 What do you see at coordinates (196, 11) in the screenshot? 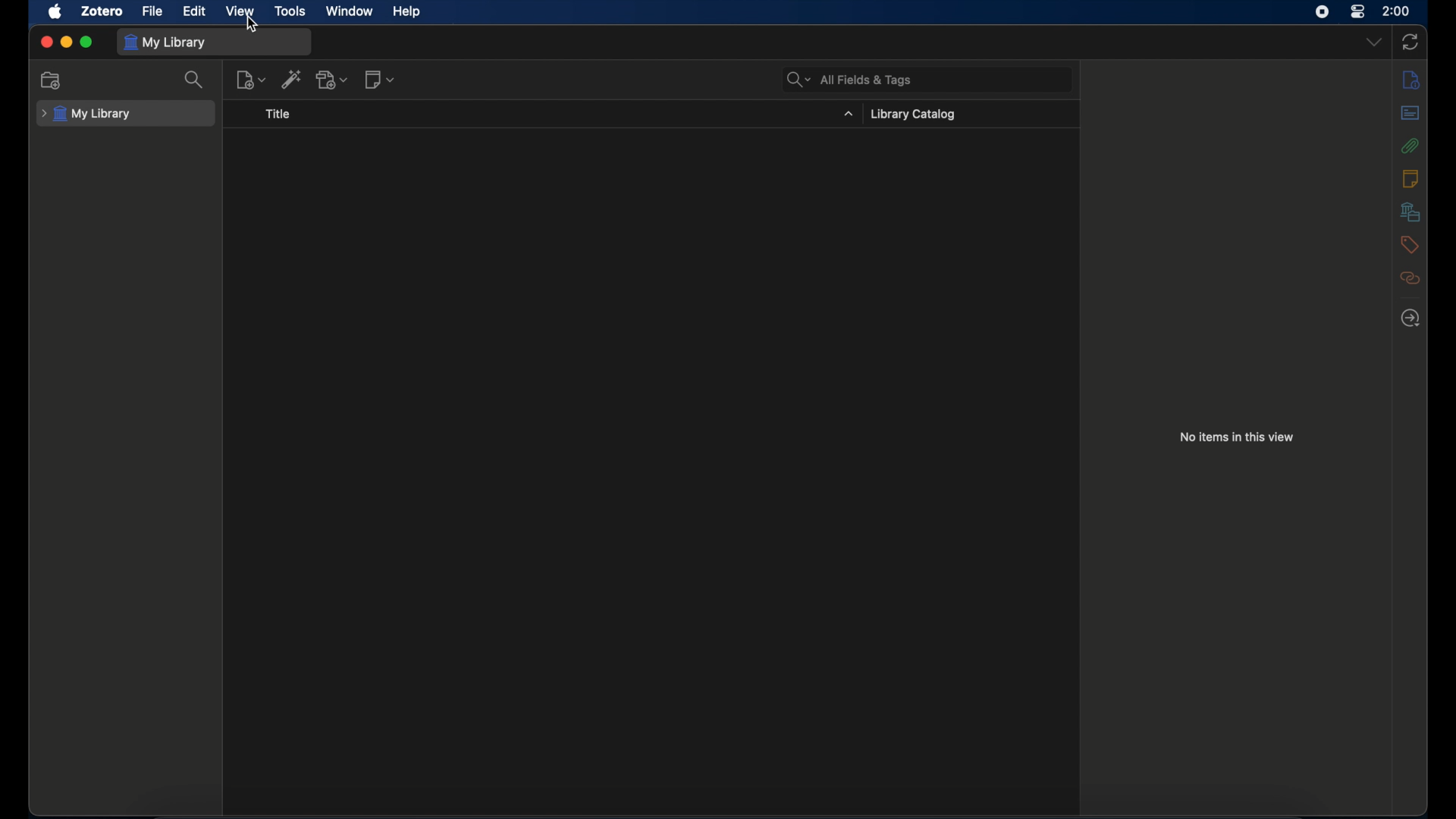
I see `edit` at bounding box center [196, 11].